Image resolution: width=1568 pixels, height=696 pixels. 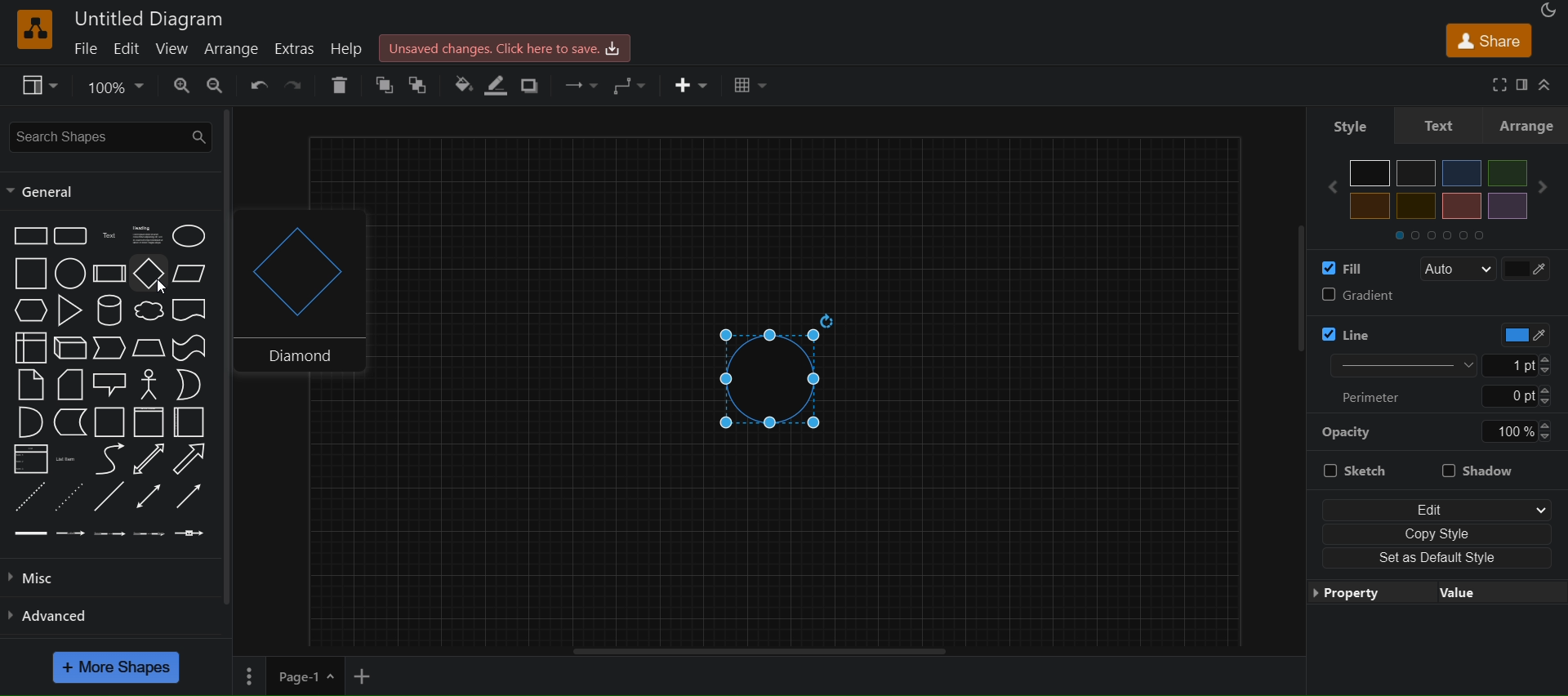 I want to click on ellipse, so click(x=192, y=235).